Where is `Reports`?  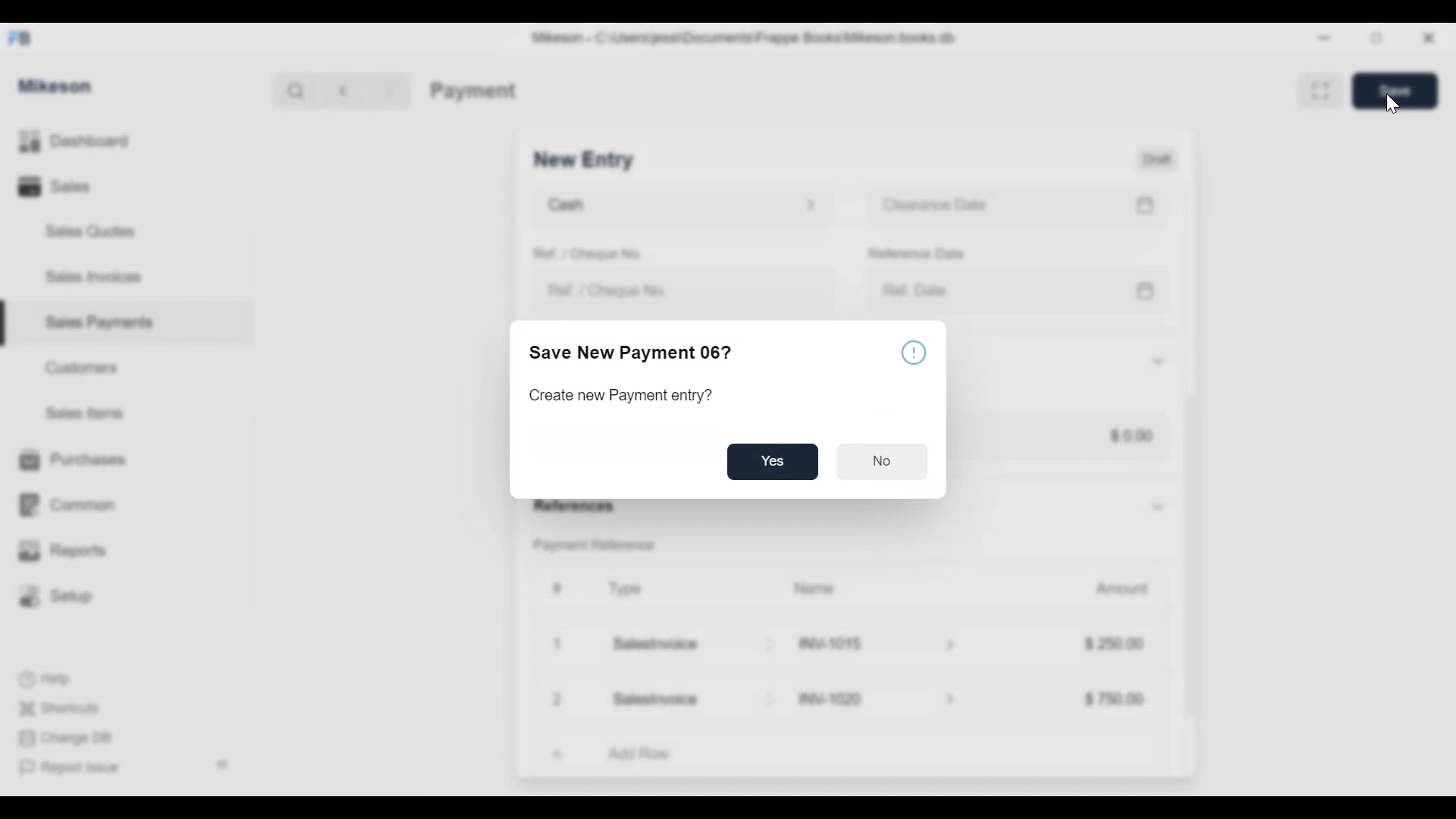 Reports is located at coordinates (65, 551).